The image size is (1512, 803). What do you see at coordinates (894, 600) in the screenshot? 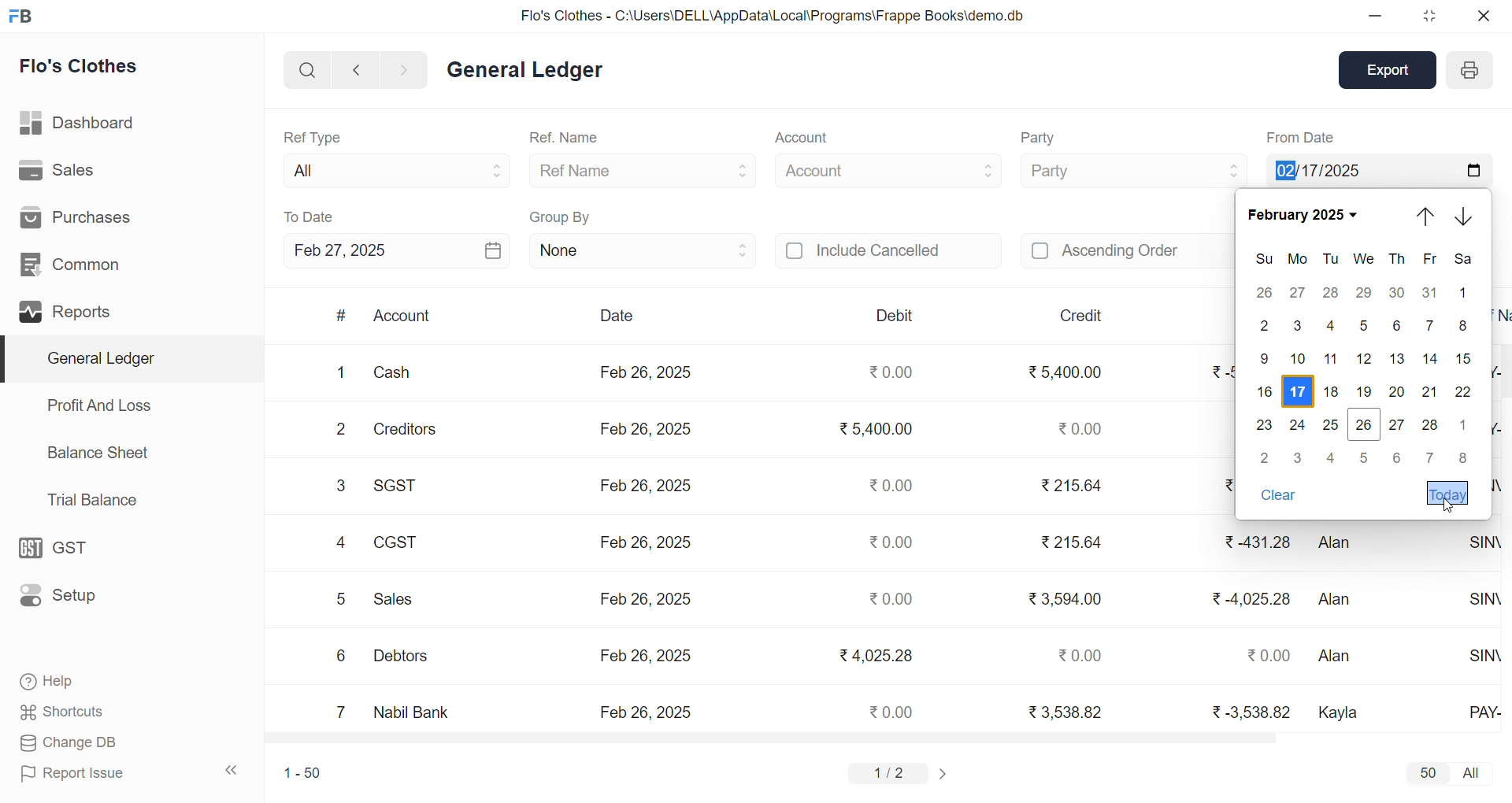
I see `₹0.00` at bounding box center [894, 600].